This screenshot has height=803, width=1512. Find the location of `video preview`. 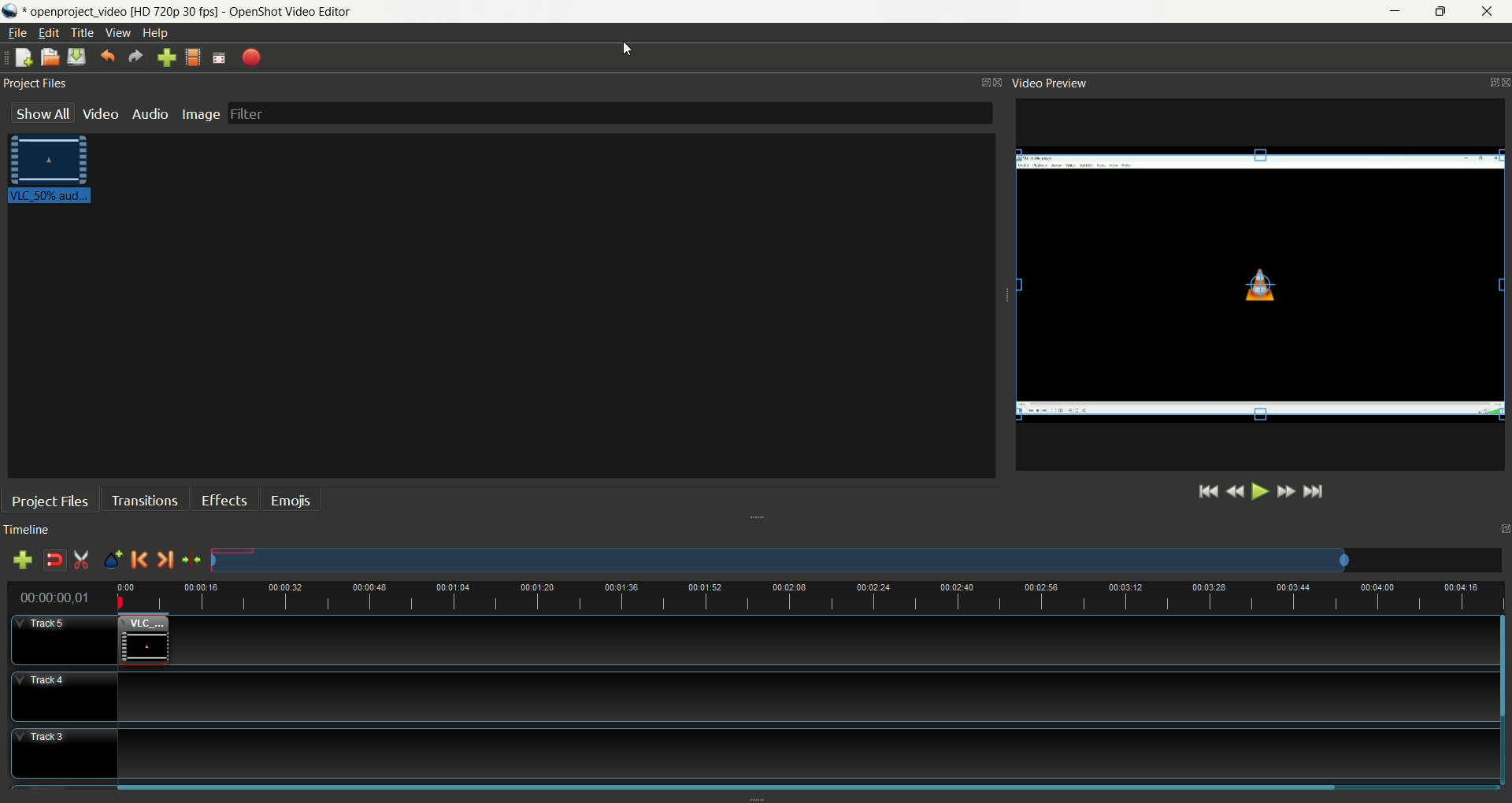

video preview is located at coordinates (1054, 85).